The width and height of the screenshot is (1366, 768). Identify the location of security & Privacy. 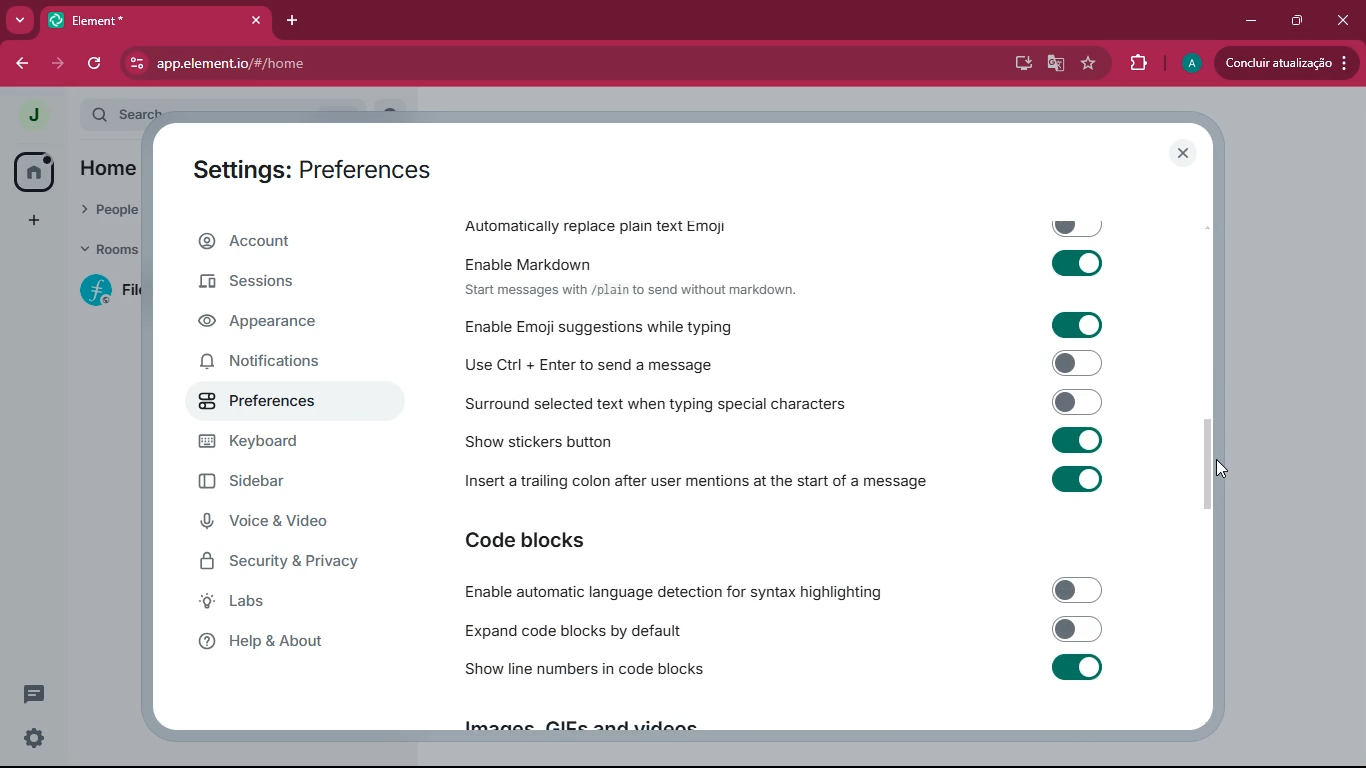
(310, 563).